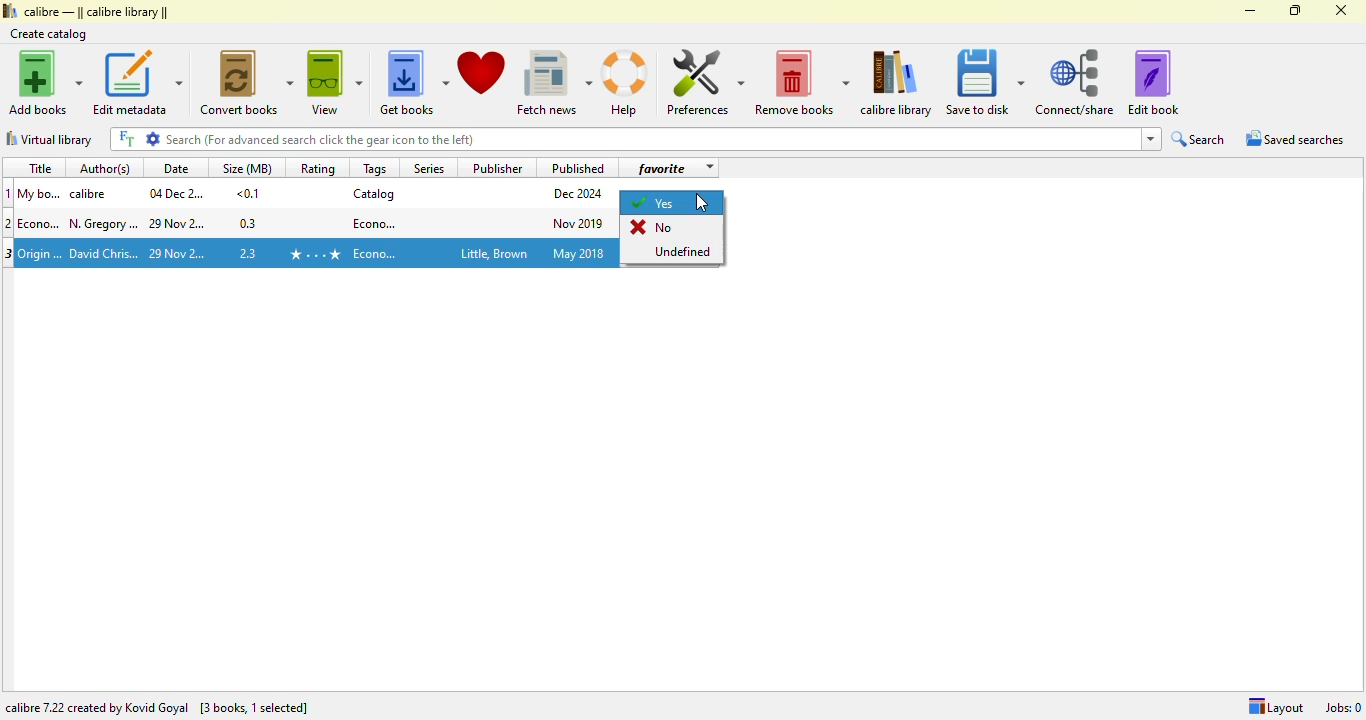  What do you see at coordinates (49, 139) in the screenshot?
I see `virtual library` at bounding box center [49, 139].